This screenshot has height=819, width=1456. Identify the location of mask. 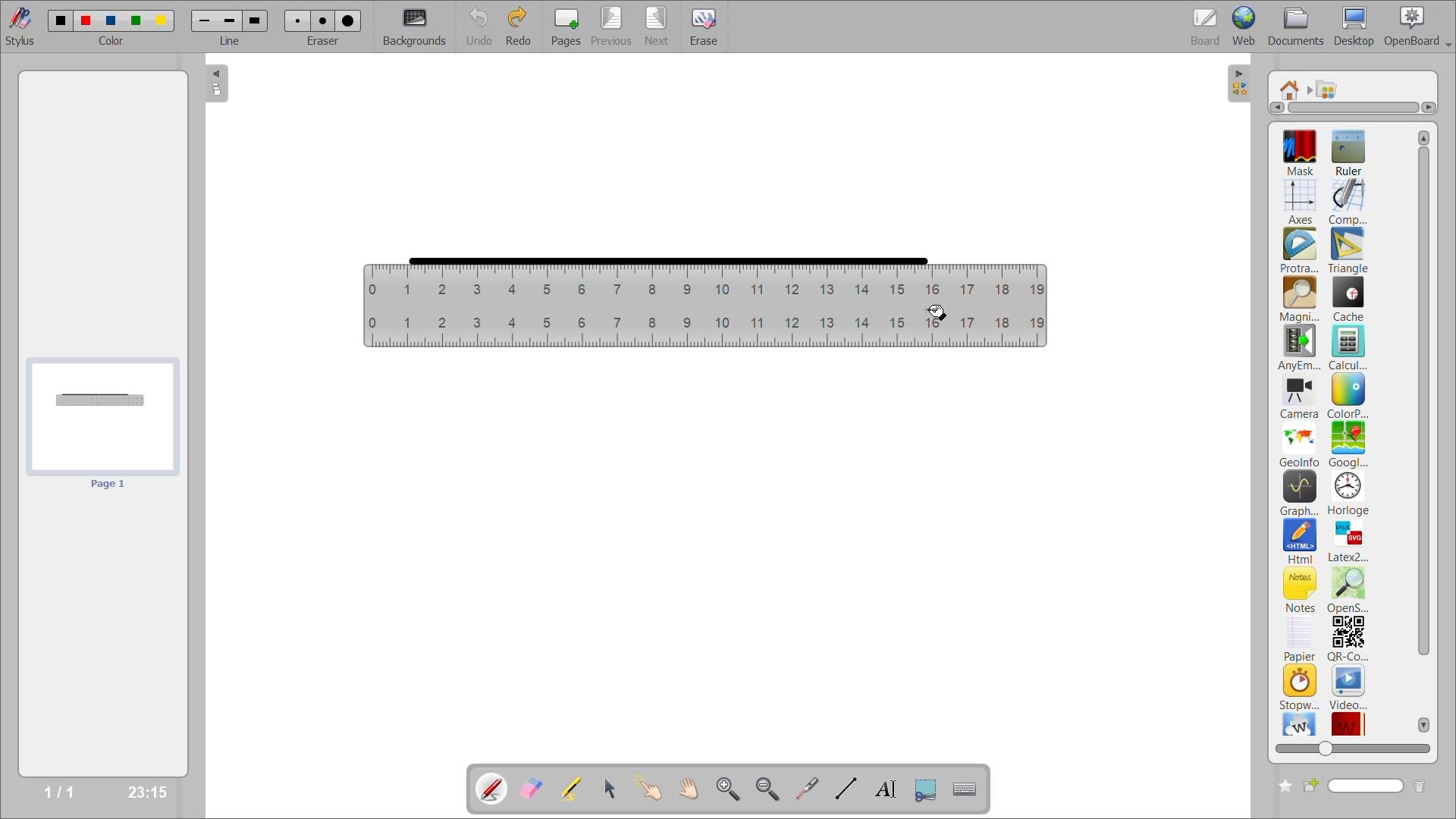
(1304, 152).